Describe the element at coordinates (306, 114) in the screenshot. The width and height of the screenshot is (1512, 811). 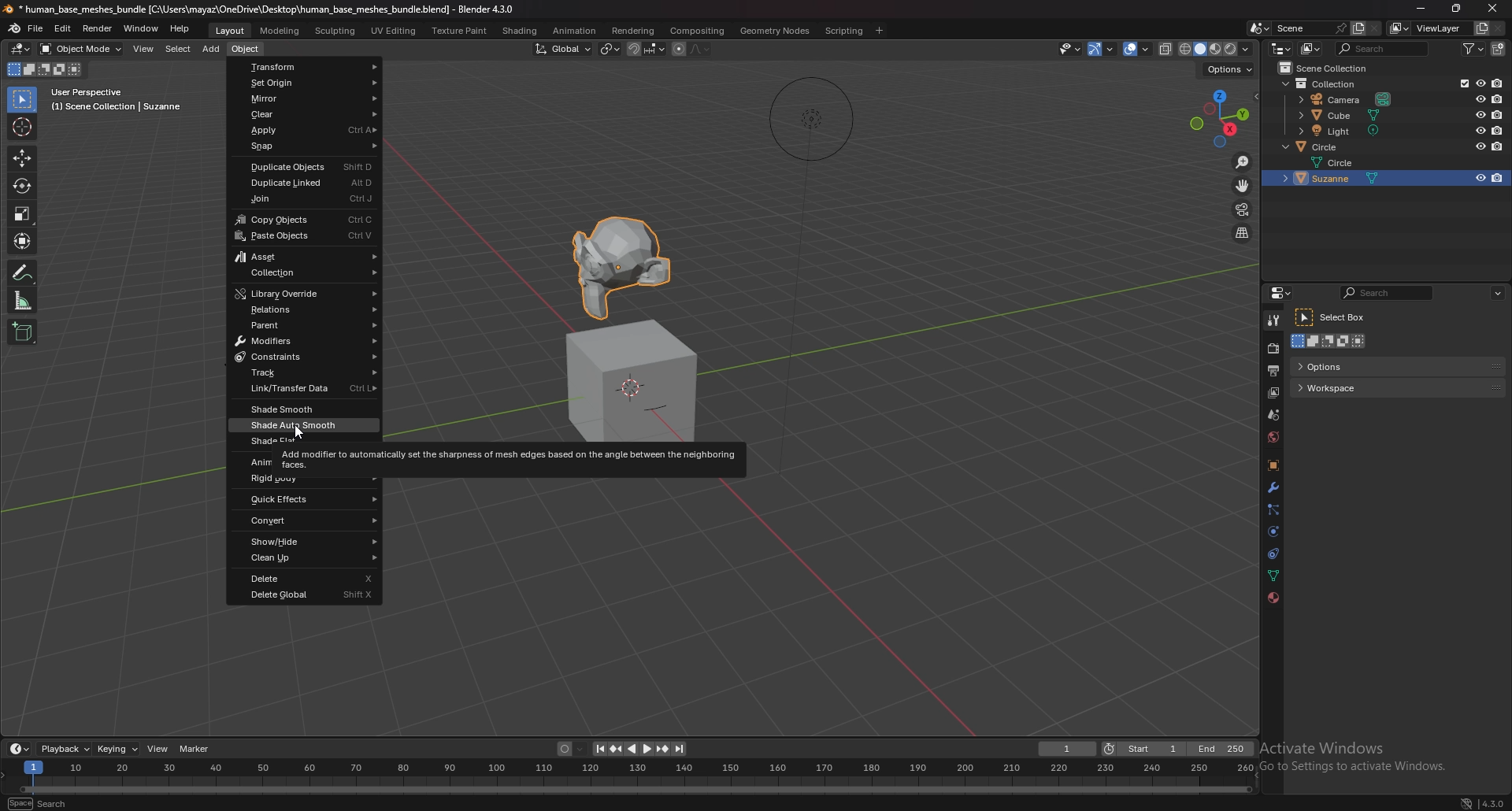
I see `clear` at that location.